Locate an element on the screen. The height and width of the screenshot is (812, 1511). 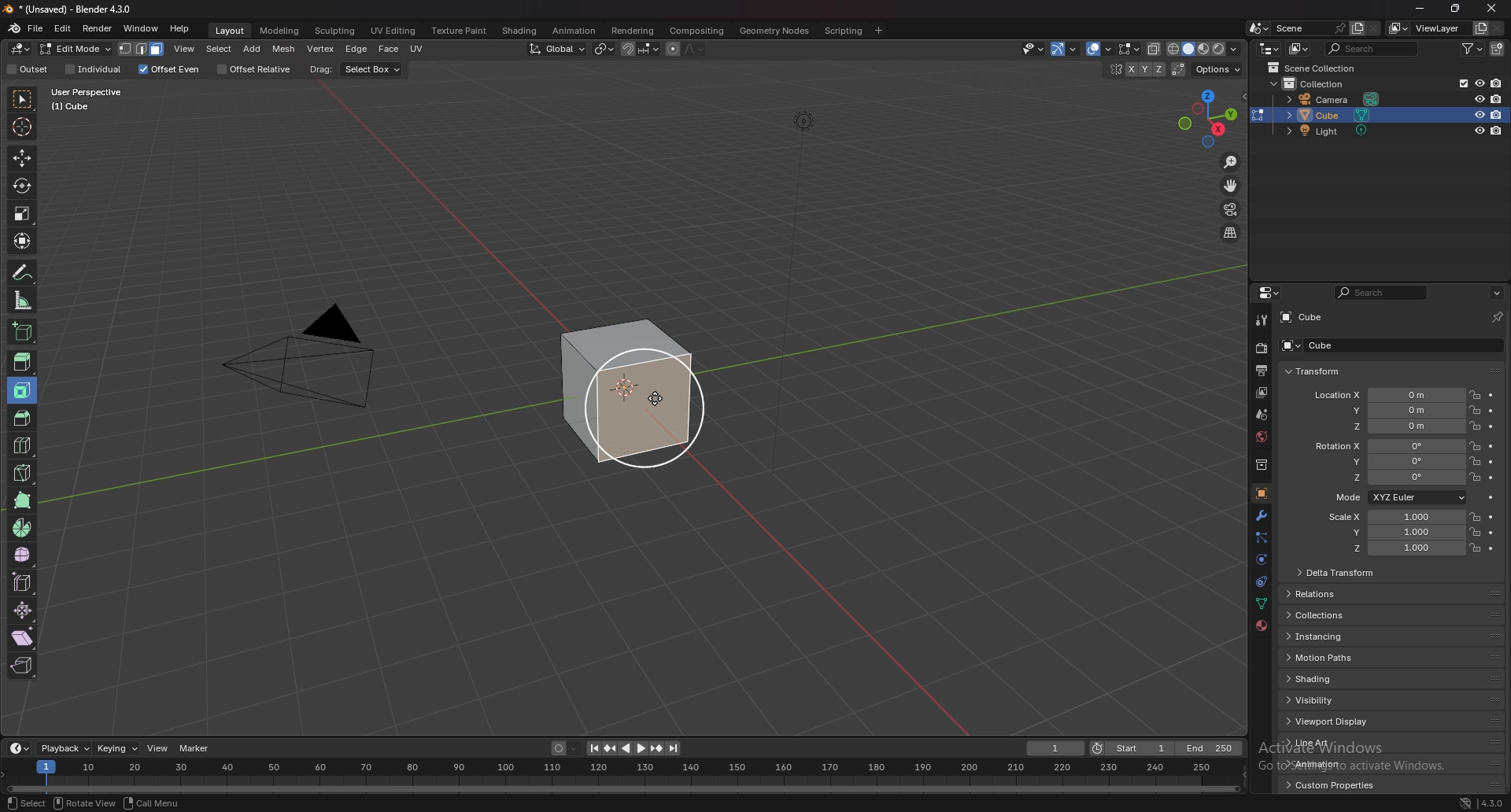
version is located at coordinates (1493, 803).